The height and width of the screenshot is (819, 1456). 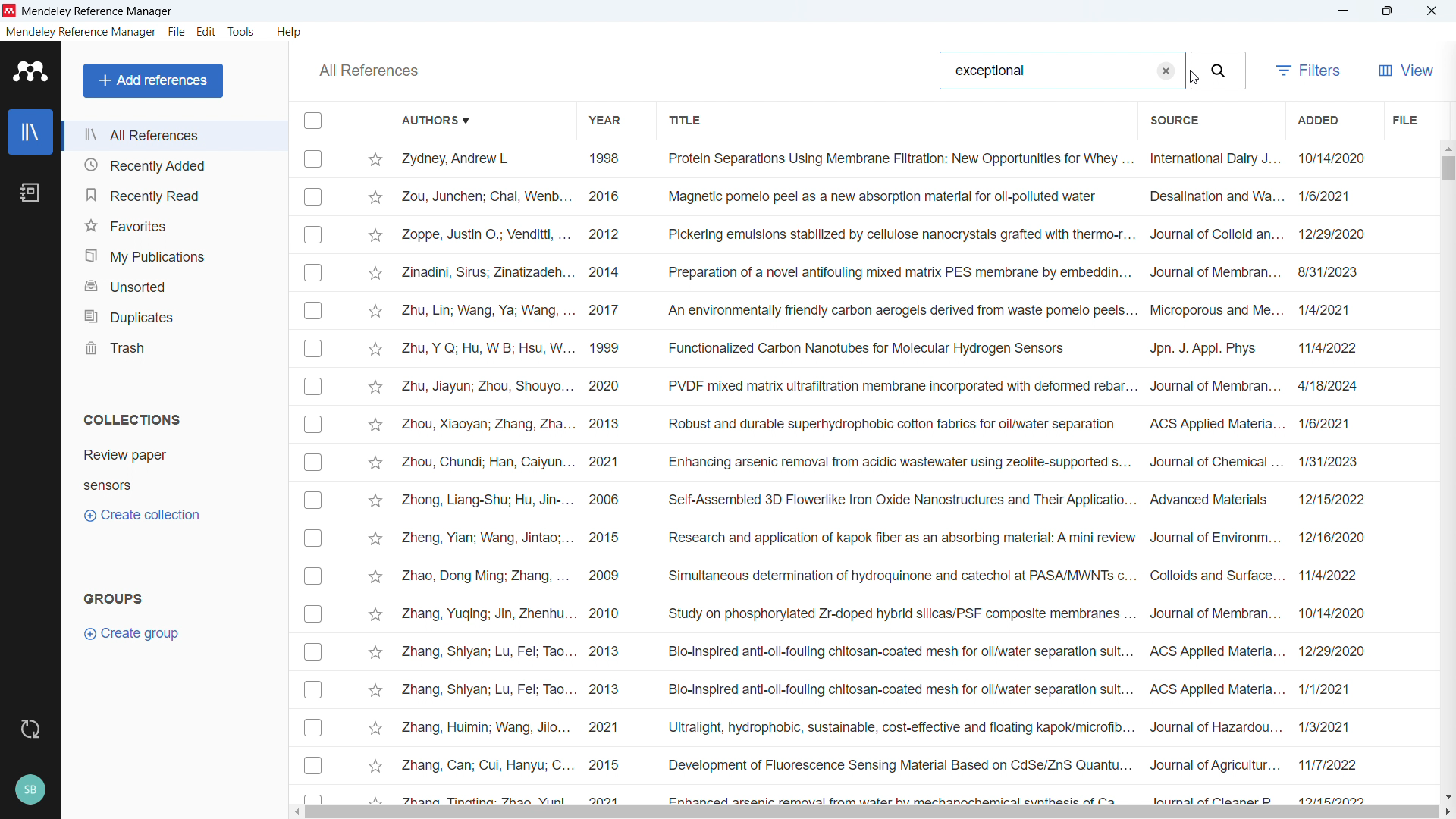 What do you see at coordinates (173, 315) in the screenshot?
I see `Duplicates ` at bounding box center [173, 315].